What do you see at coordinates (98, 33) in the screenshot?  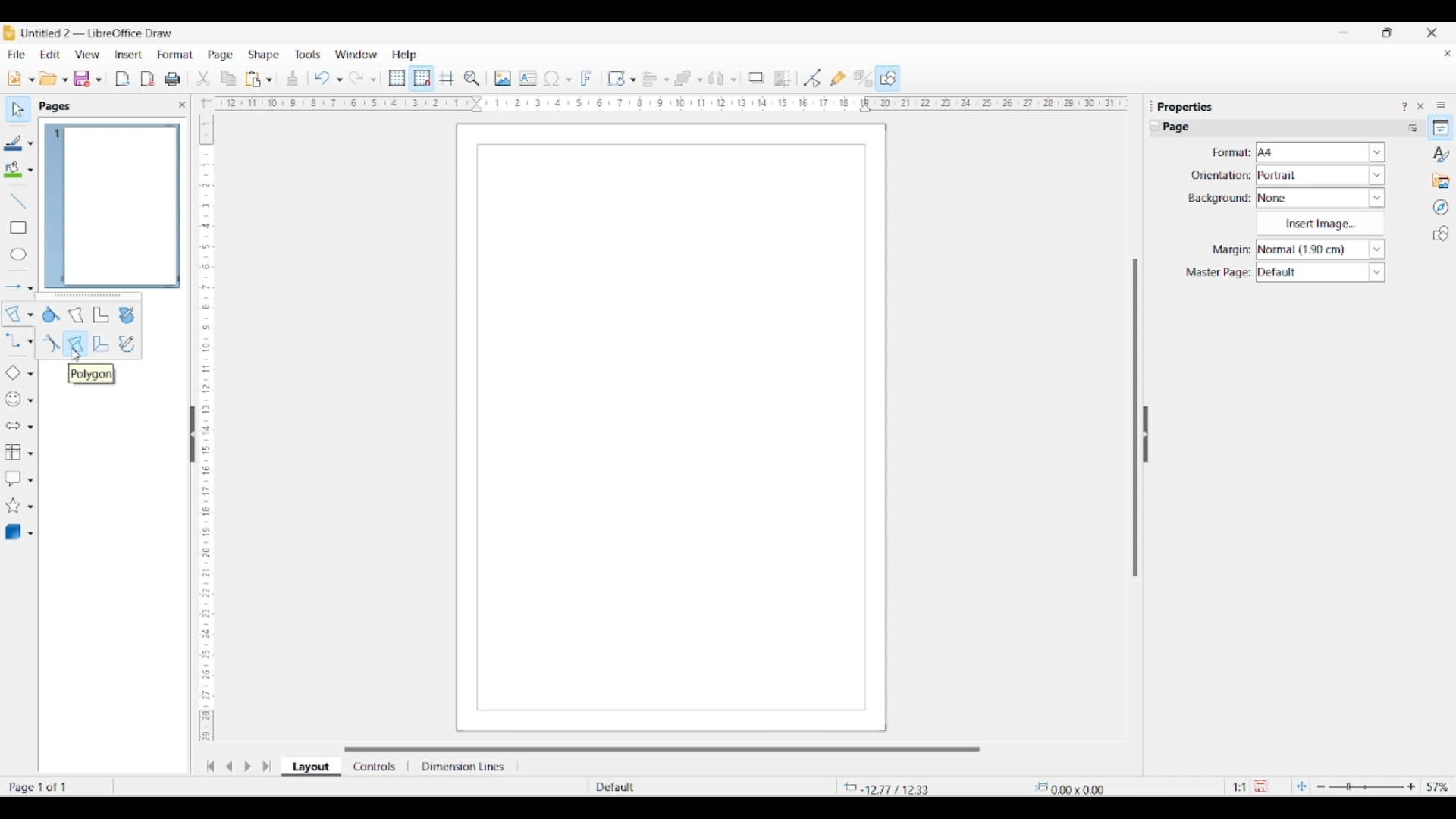 I see `Project and software name` at bounding box center [98, 33].